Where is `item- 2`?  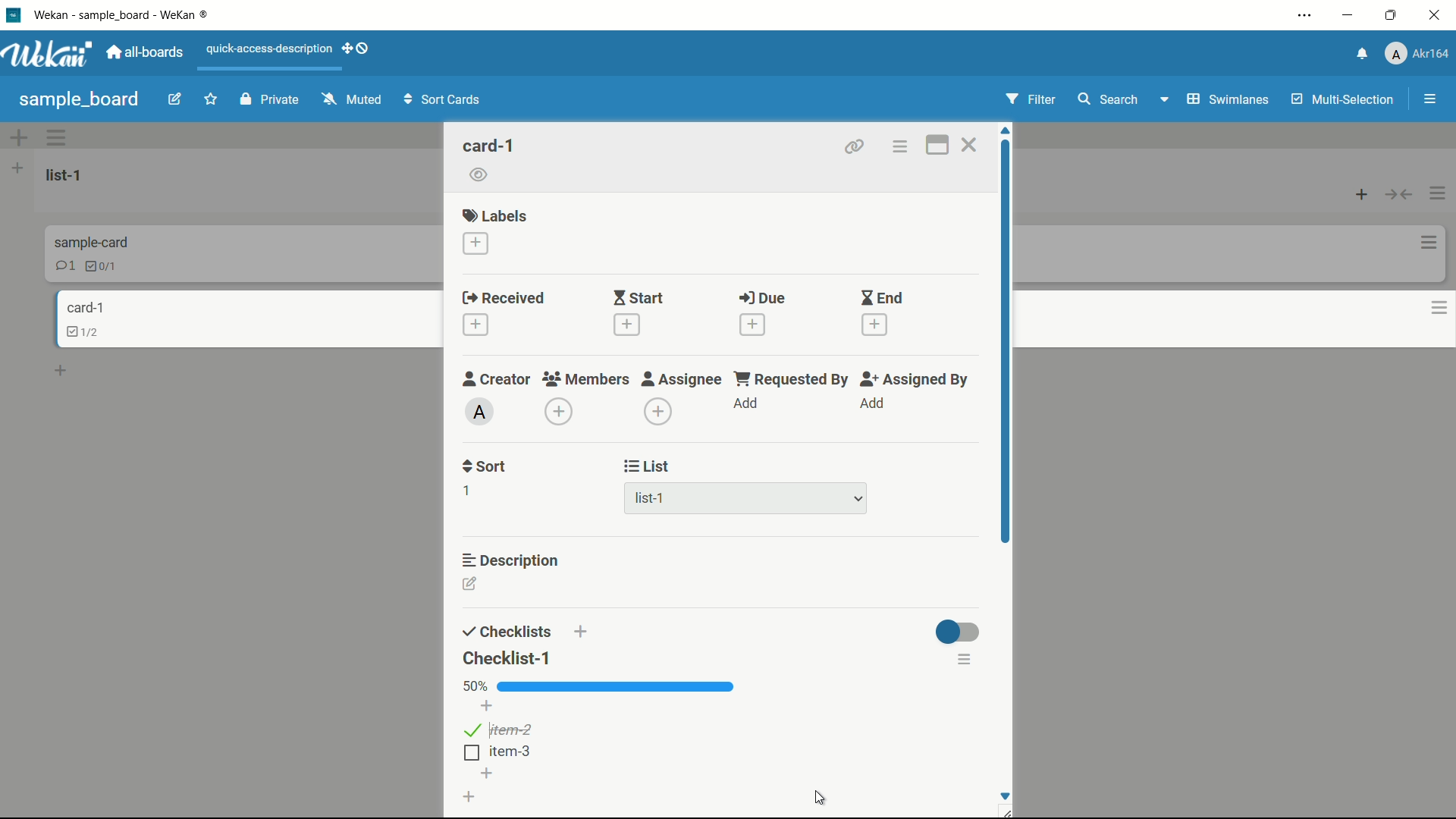 item- 2 is located at coordinates (499, 729).